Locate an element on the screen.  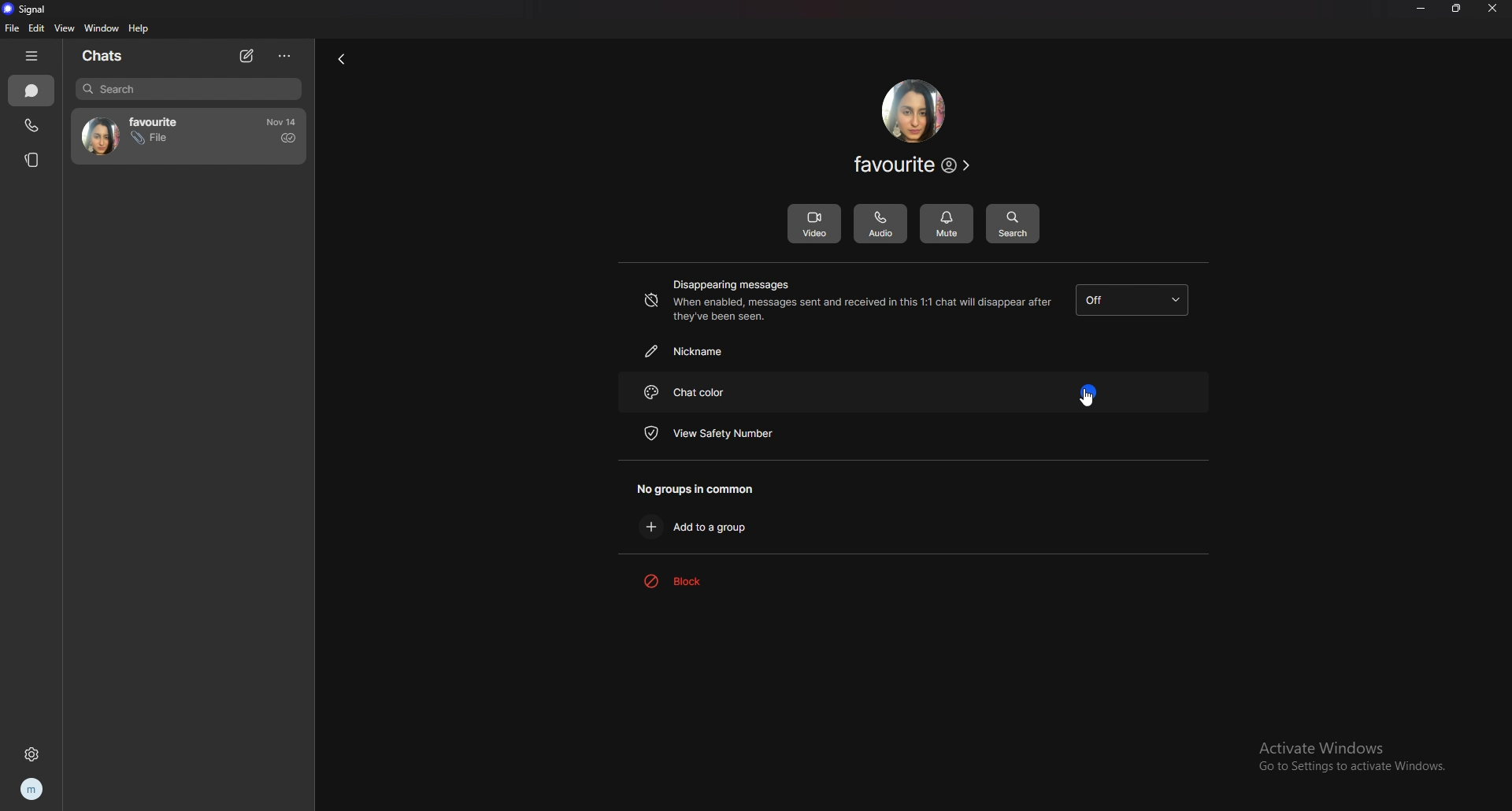
add to a group is located at coordinates (706, 526).